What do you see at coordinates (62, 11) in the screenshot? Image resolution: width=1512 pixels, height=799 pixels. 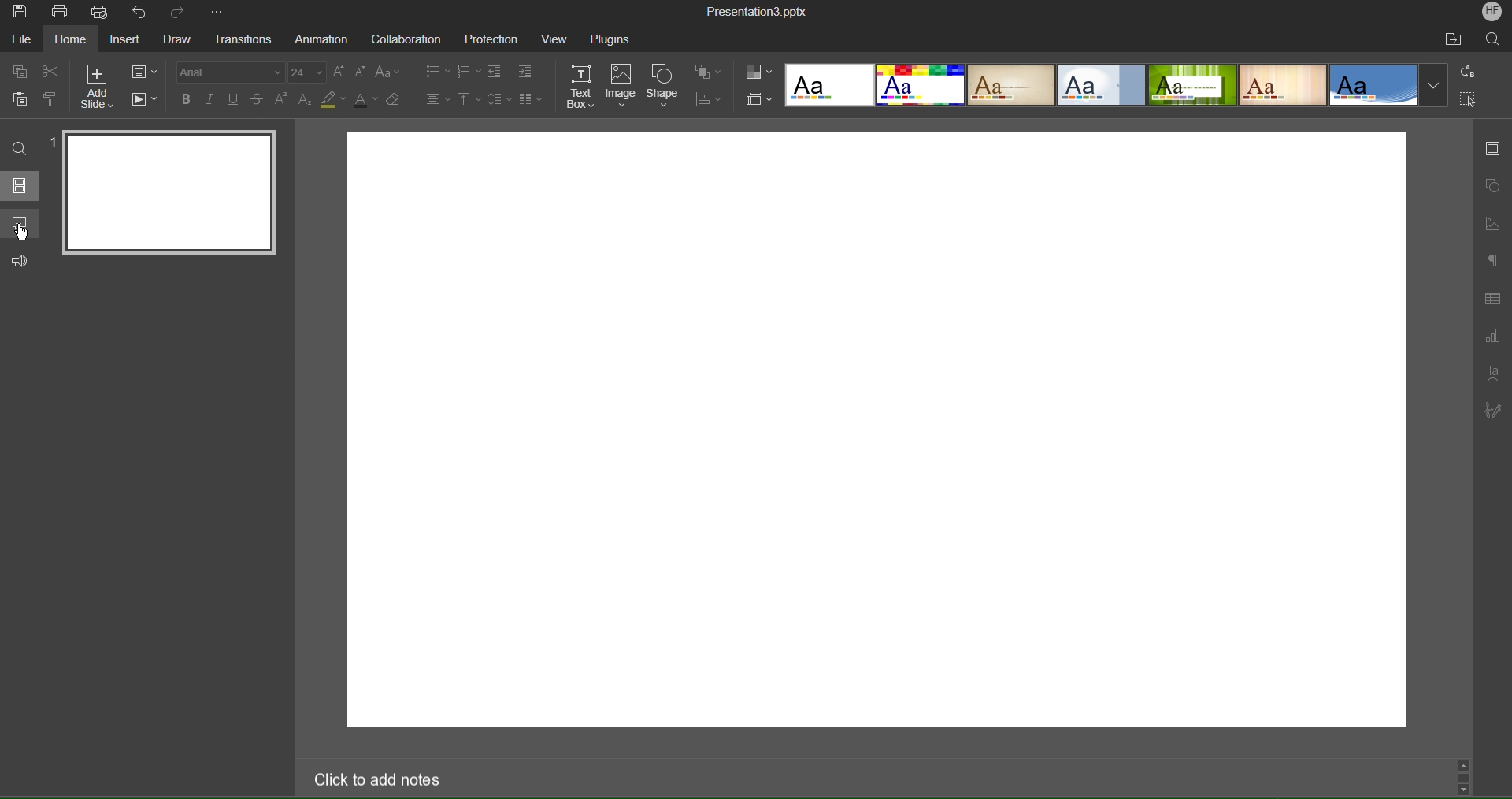 I see `Print` at bounding box center [62, 11].